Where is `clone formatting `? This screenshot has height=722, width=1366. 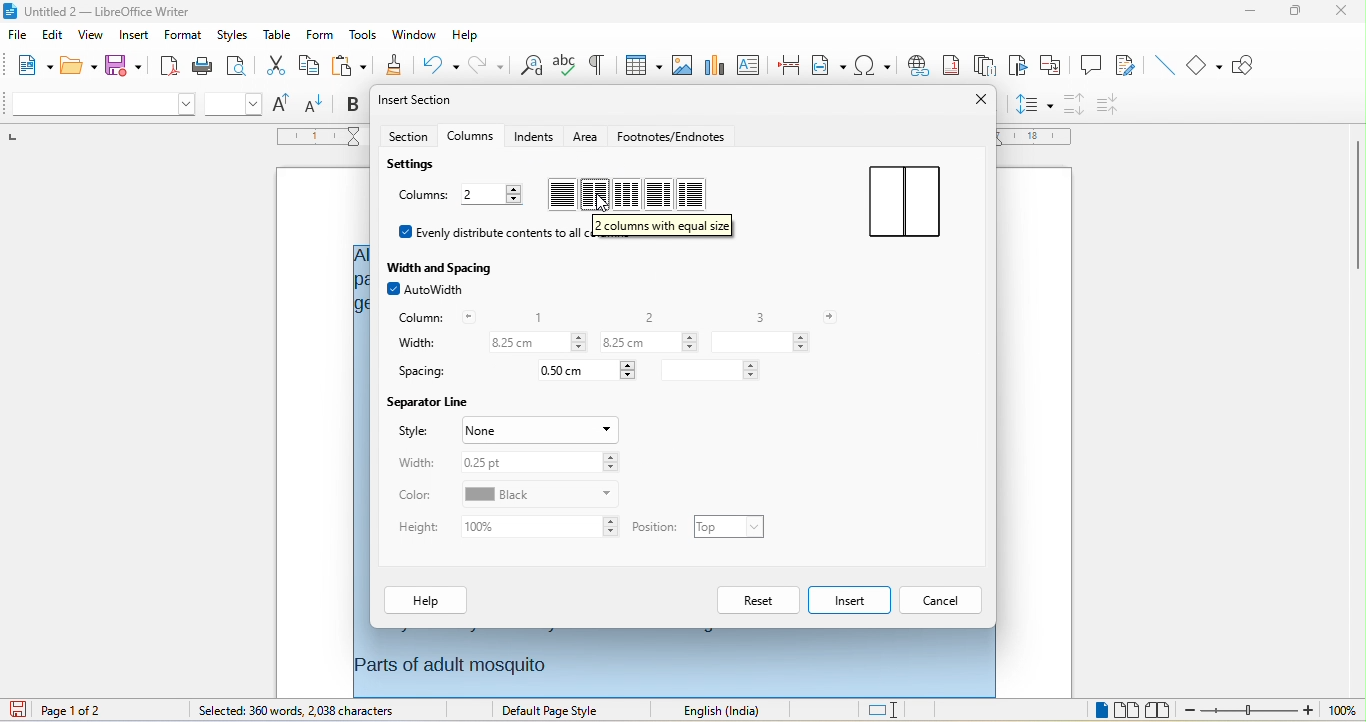
clone formatting  is located at coordinates (391, 65).